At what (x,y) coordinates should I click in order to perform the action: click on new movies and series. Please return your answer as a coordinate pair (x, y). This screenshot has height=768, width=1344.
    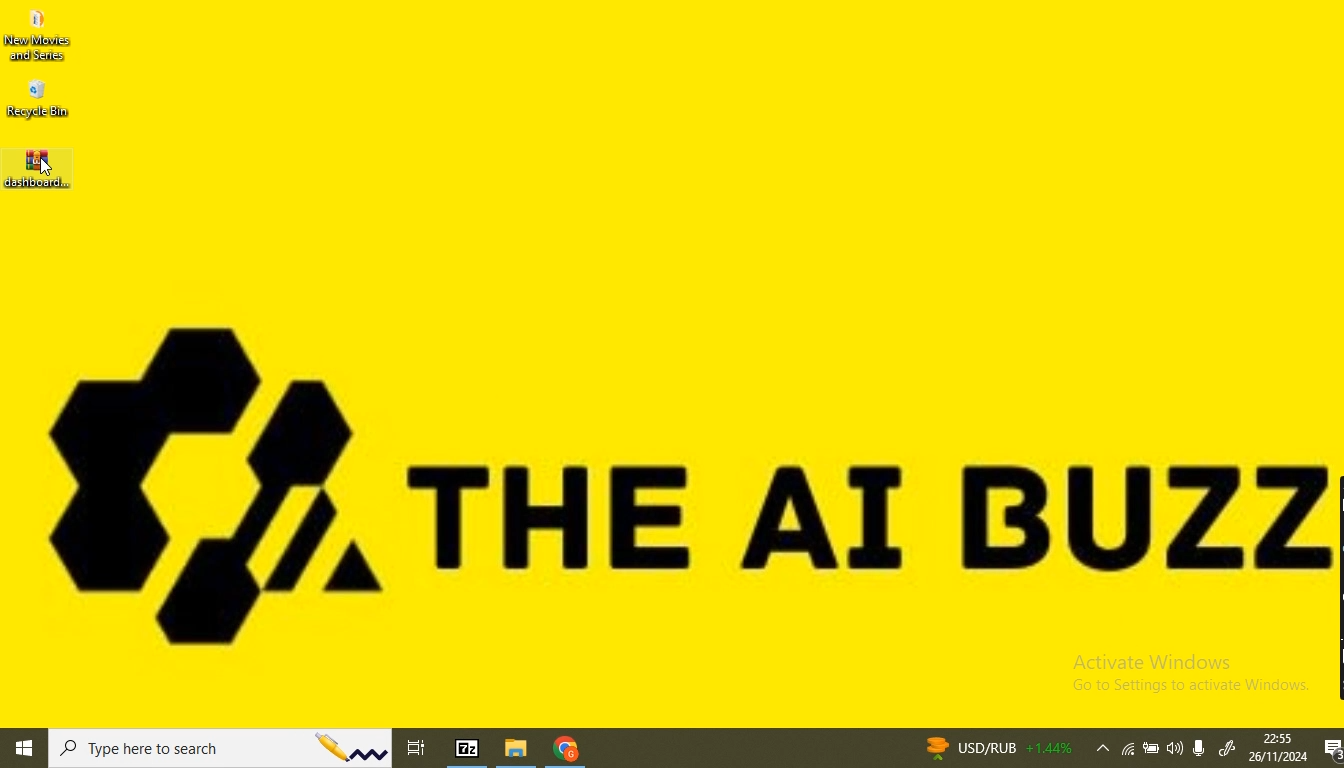
    Looking at the image, I should click on (44, 37).